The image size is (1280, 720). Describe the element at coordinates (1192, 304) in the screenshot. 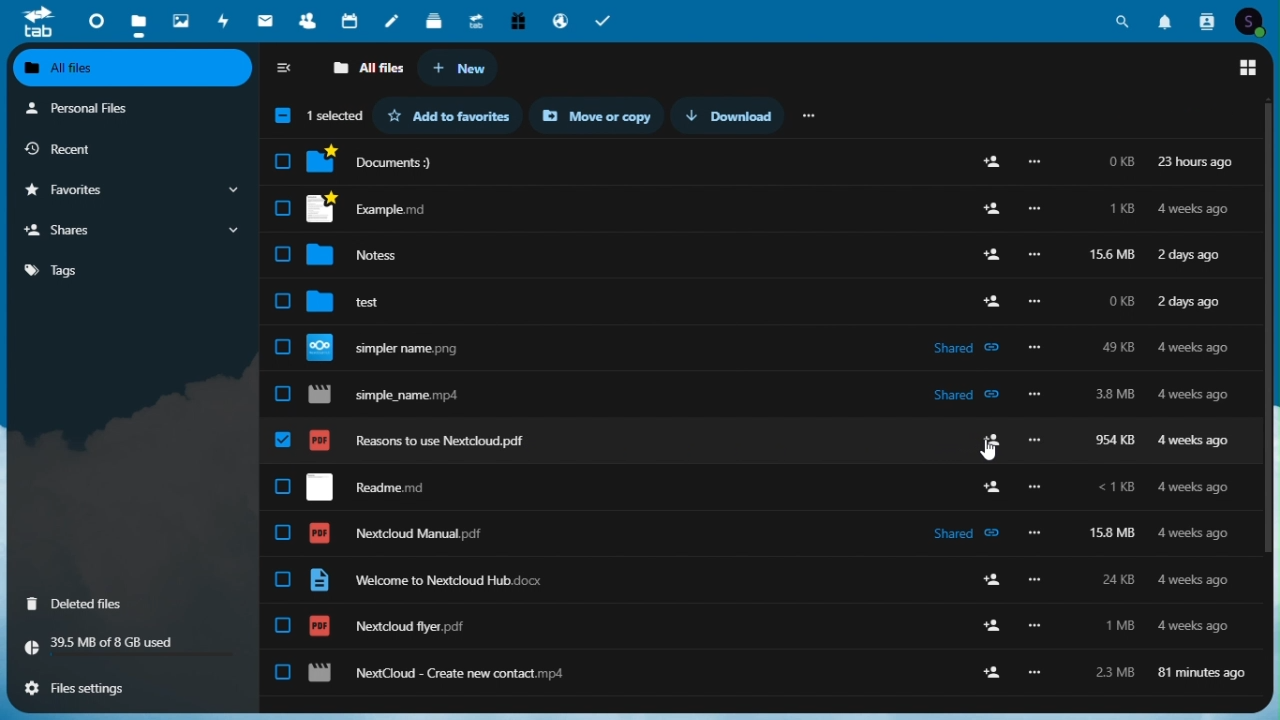

I see `2 days ago` at that location.